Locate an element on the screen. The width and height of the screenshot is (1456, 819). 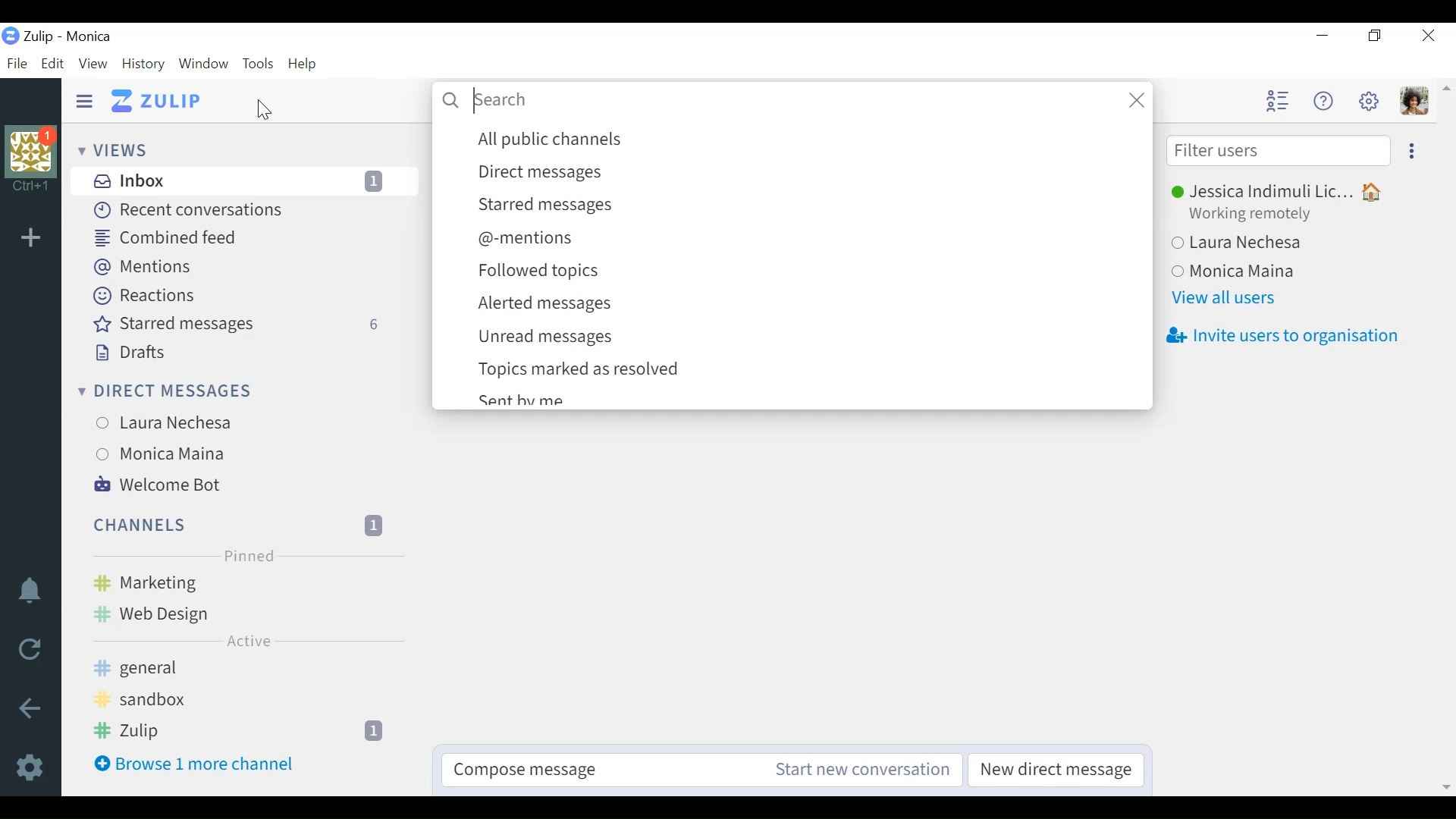
Filter users is located at coordinates (1278, 149).